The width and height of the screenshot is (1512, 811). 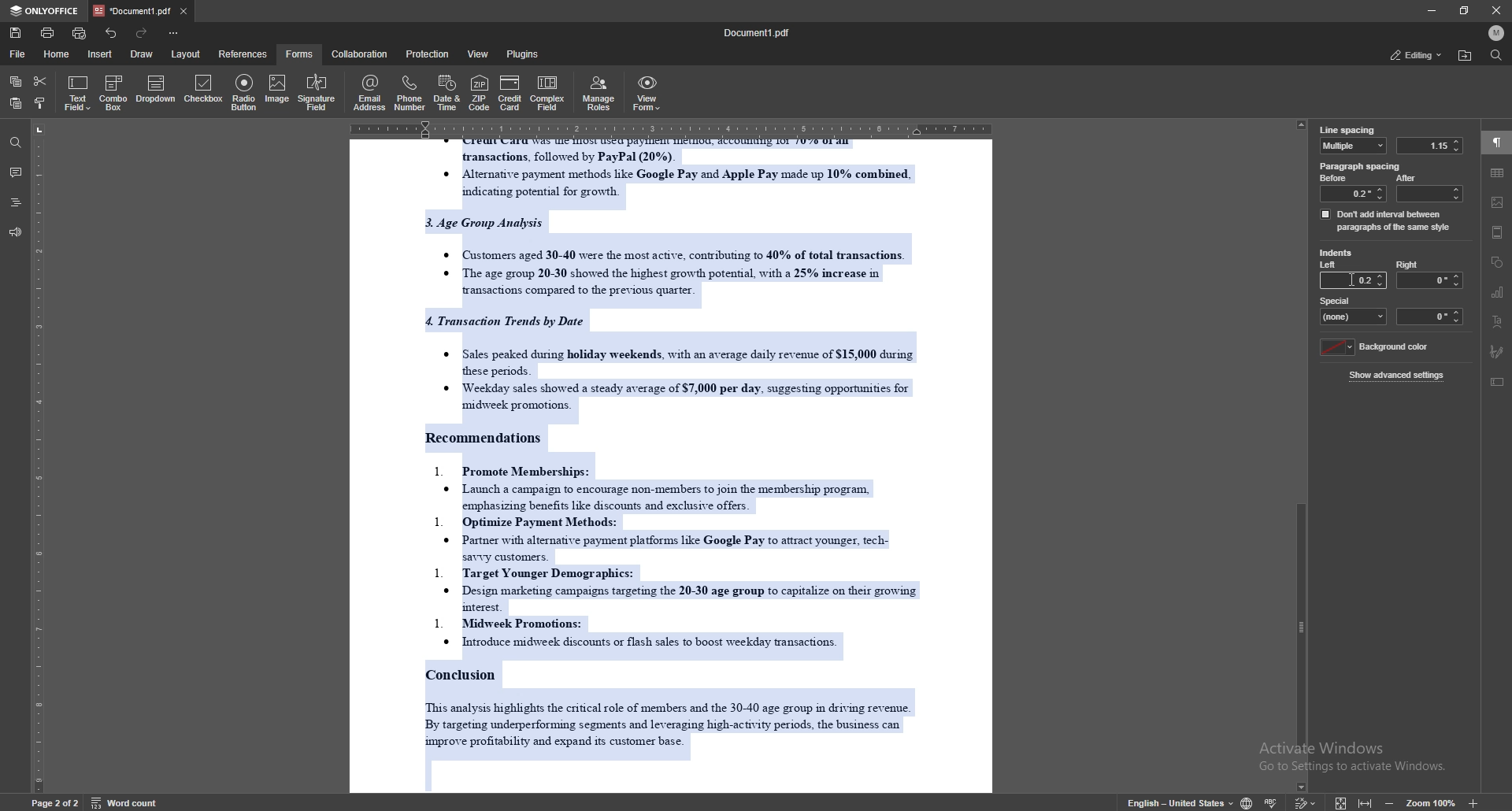 I want to click on right indent, so click(x=1429, y=274).